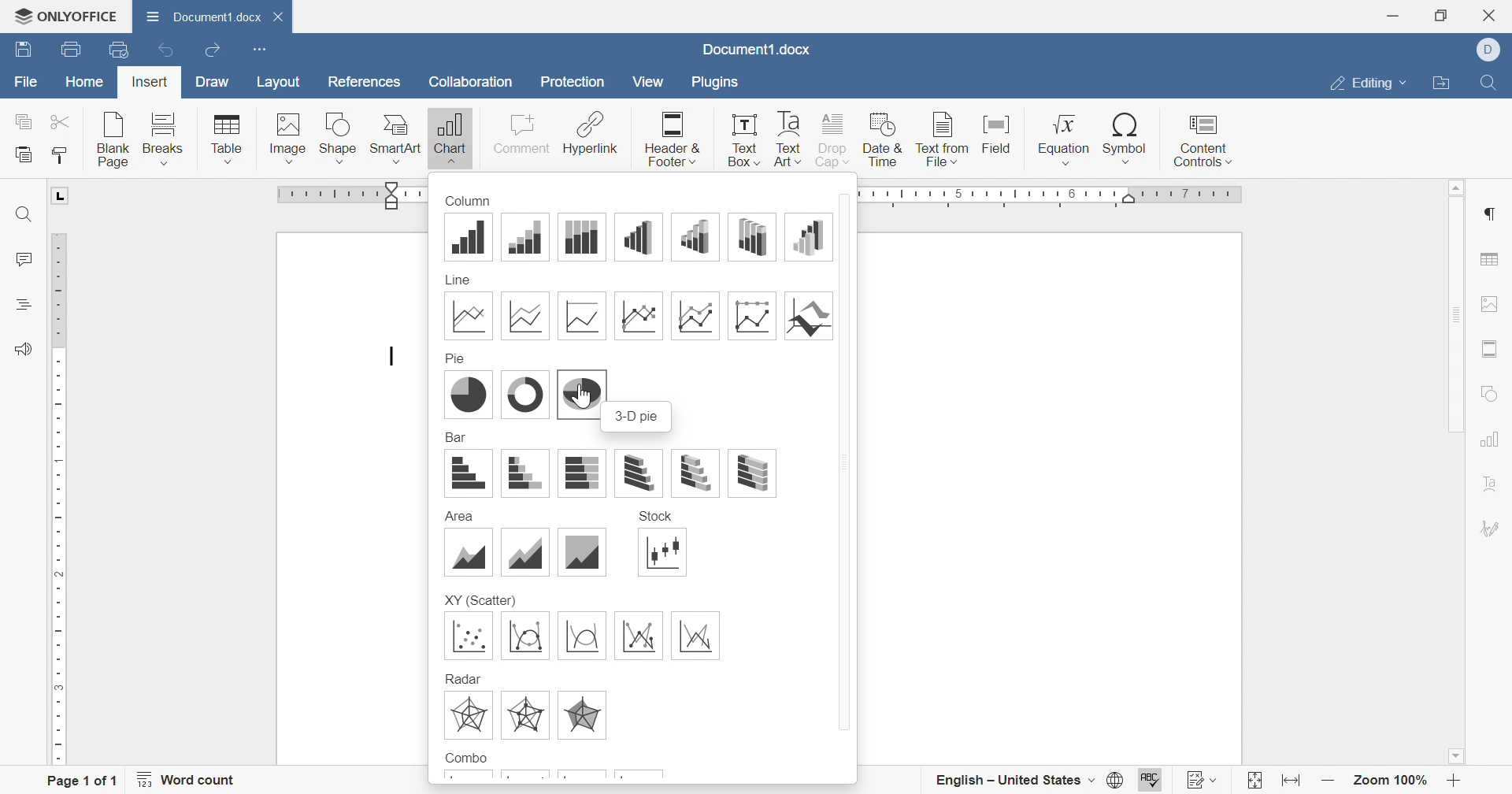 The width and height of the screenshot is (1512, 794). Describe the element at coordinates (469, 473) in the screenshot. I see `Clustered bar` at that location.